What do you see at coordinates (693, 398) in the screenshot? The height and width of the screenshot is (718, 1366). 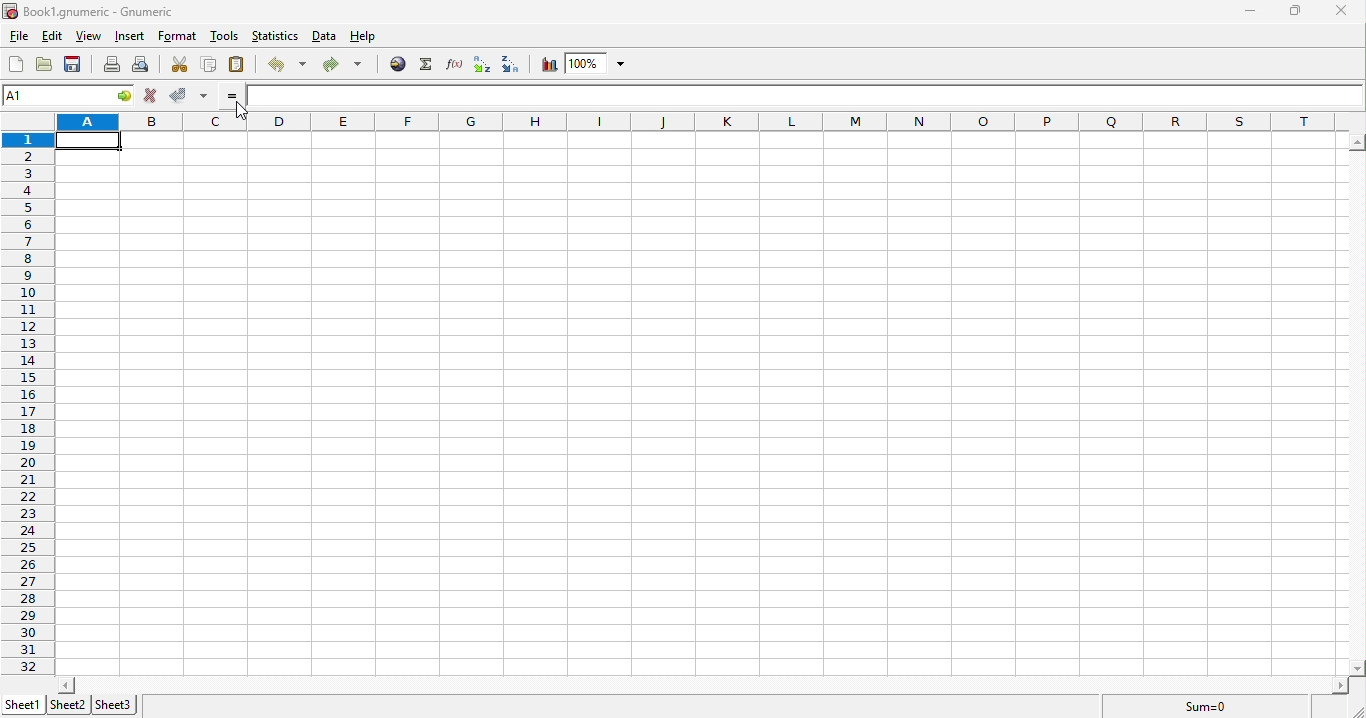 I see `Cells` at bounding box center [693, 398].